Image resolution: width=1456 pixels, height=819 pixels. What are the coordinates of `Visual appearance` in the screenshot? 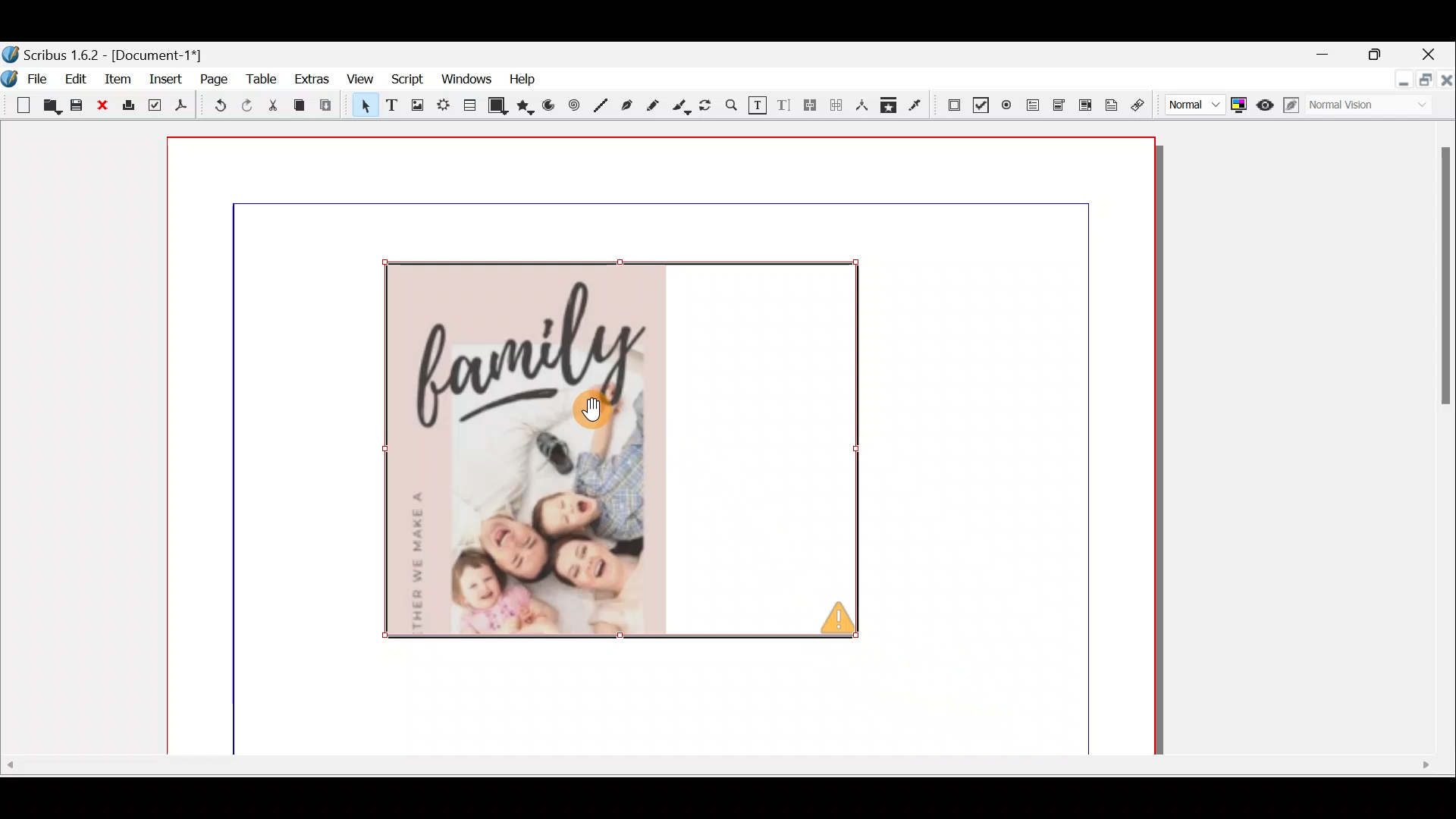 It's located at (1355, 106).